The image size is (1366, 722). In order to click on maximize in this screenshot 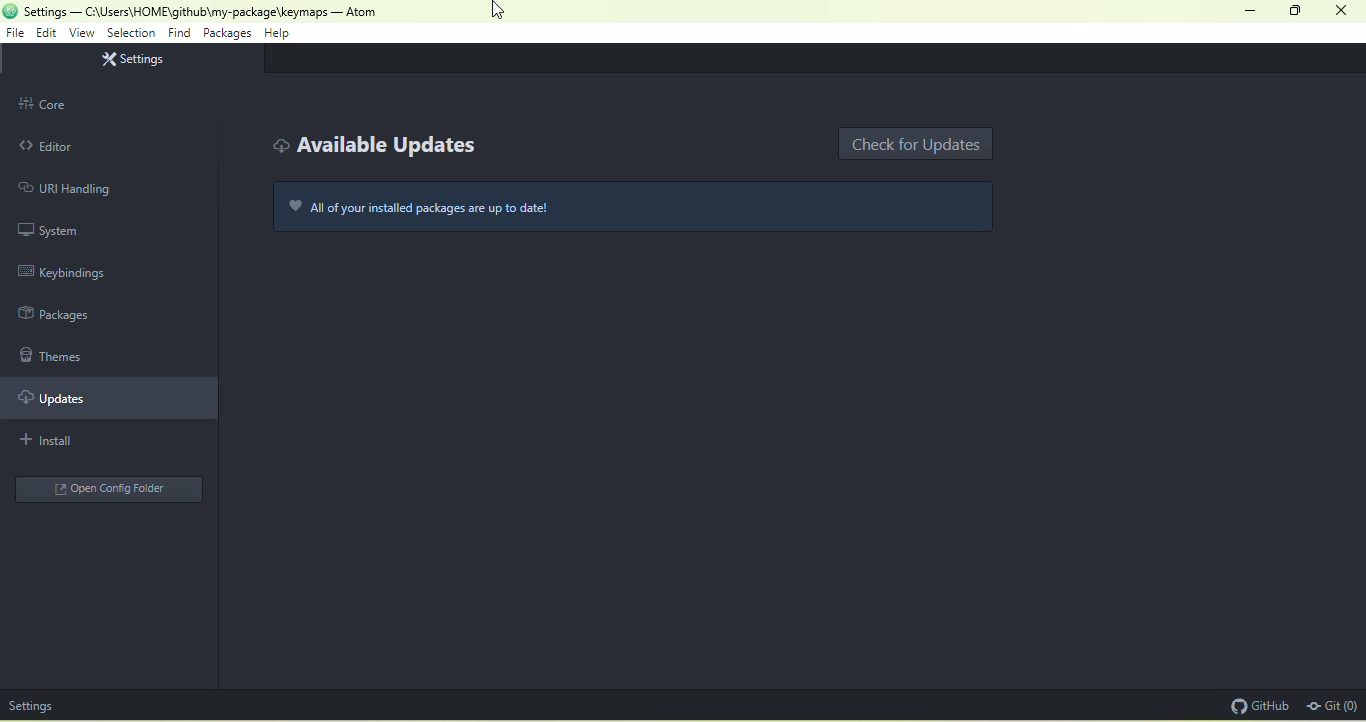, I will do `click(1295, 12)`.